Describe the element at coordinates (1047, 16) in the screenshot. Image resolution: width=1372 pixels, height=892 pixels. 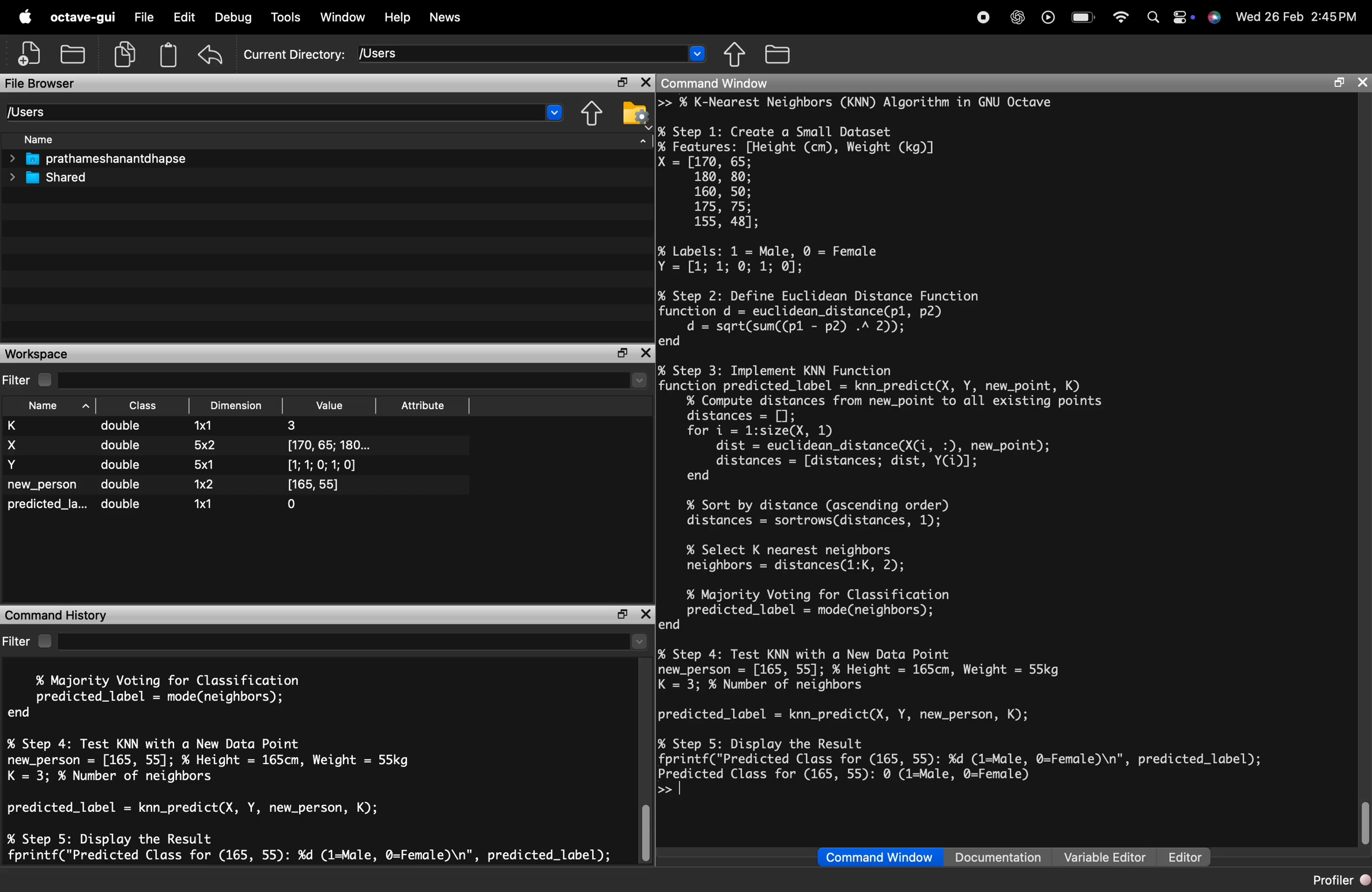
I see `play` at that location.